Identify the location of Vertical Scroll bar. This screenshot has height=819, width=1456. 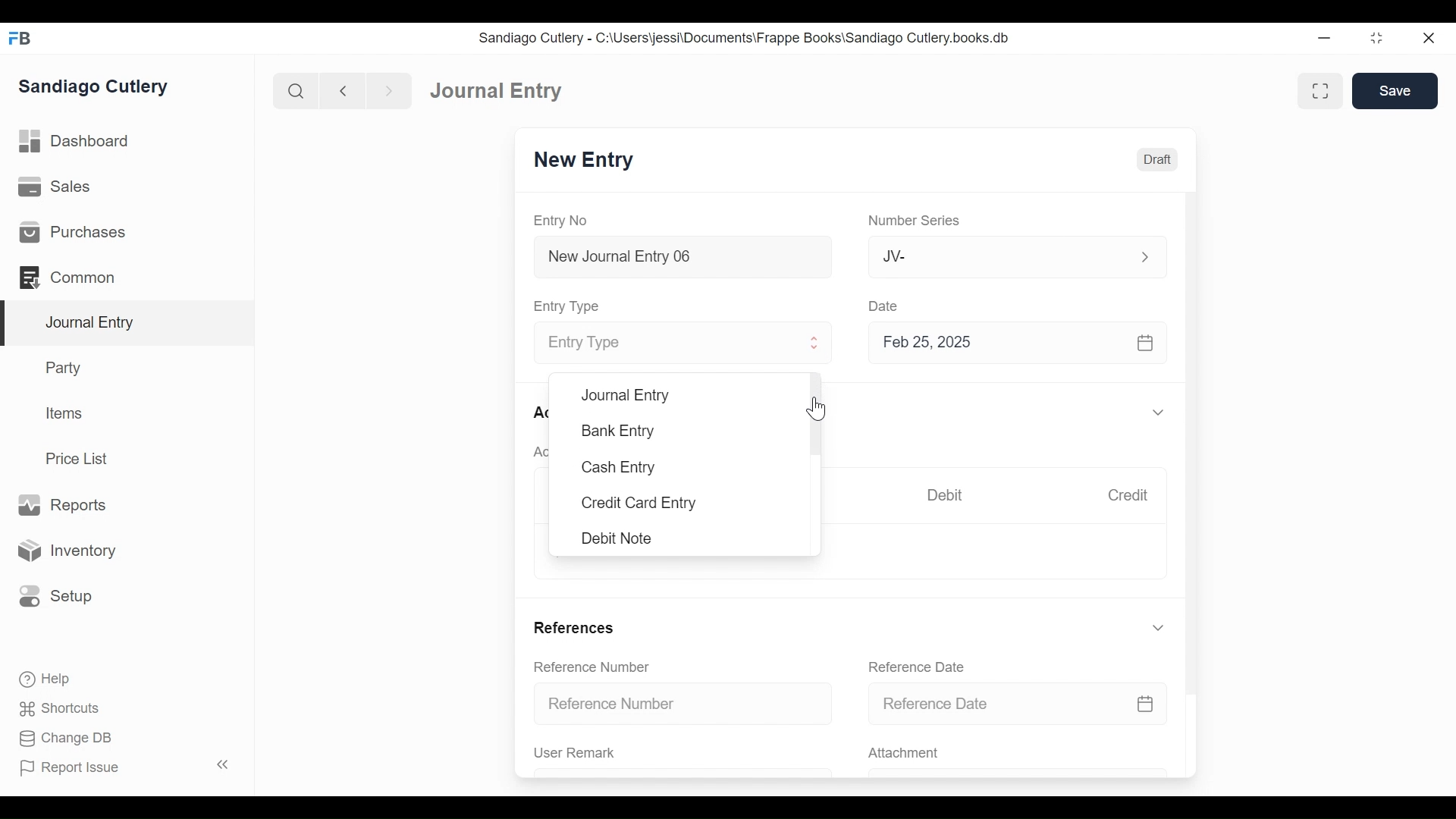
(816, 412).